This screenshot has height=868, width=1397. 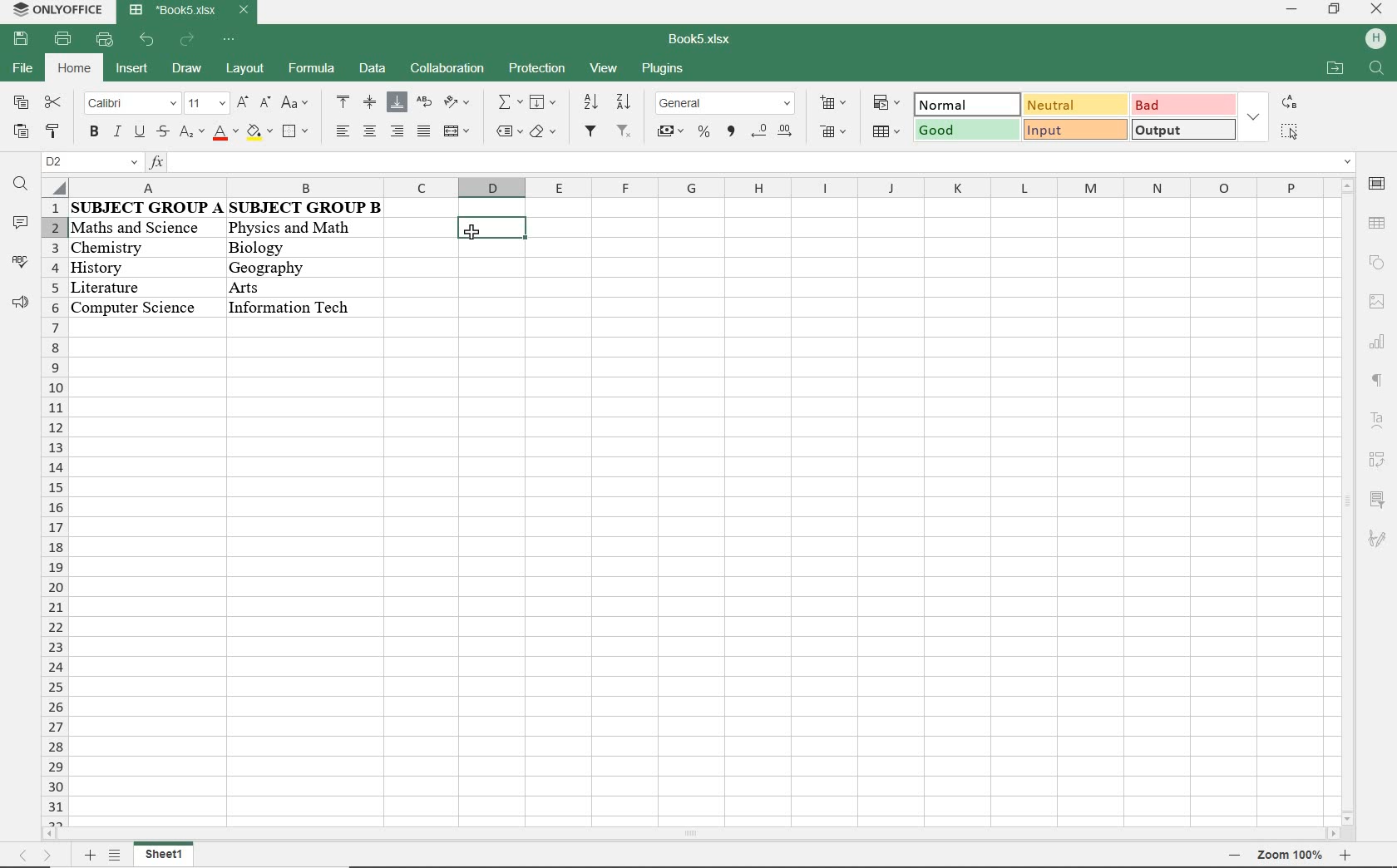 I want to click on next, so click(x=48, y=859).